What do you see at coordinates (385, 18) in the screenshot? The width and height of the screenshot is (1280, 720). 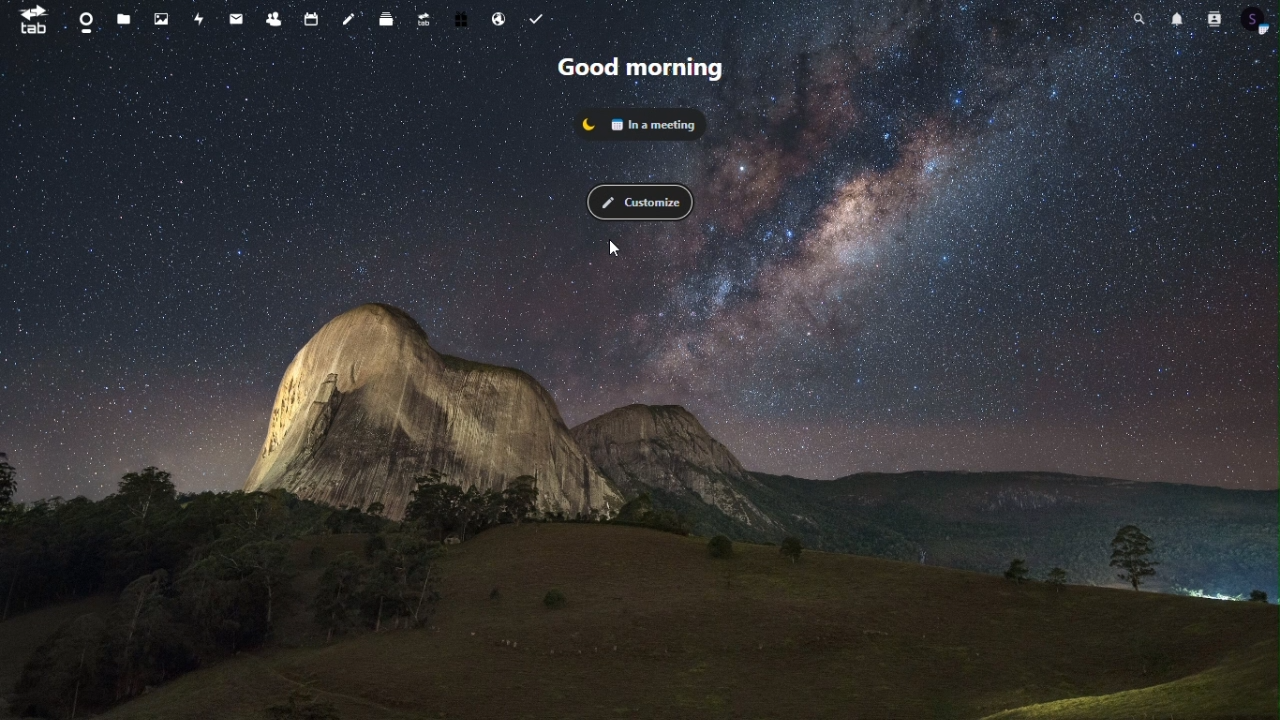 I see `deck` at bounding box center [385, 18].